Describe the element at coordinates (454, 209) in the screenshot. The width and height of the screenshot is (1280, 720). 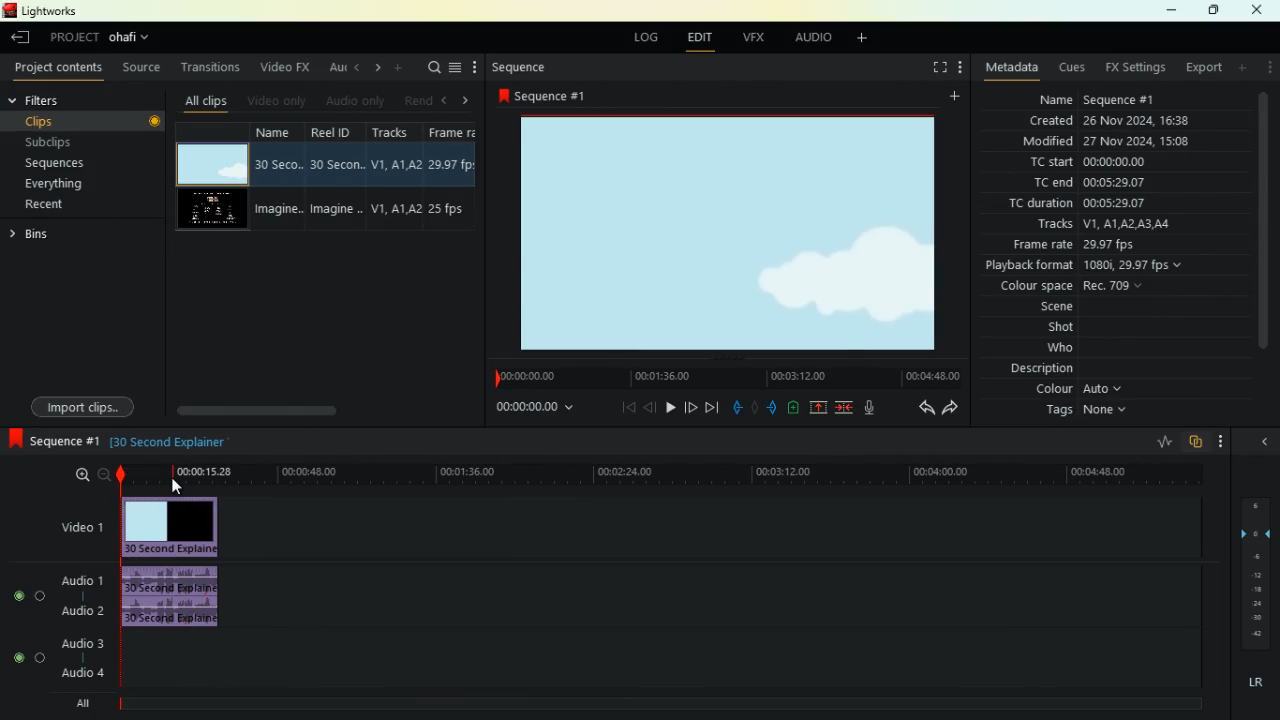
I see `25 fps` at that location.